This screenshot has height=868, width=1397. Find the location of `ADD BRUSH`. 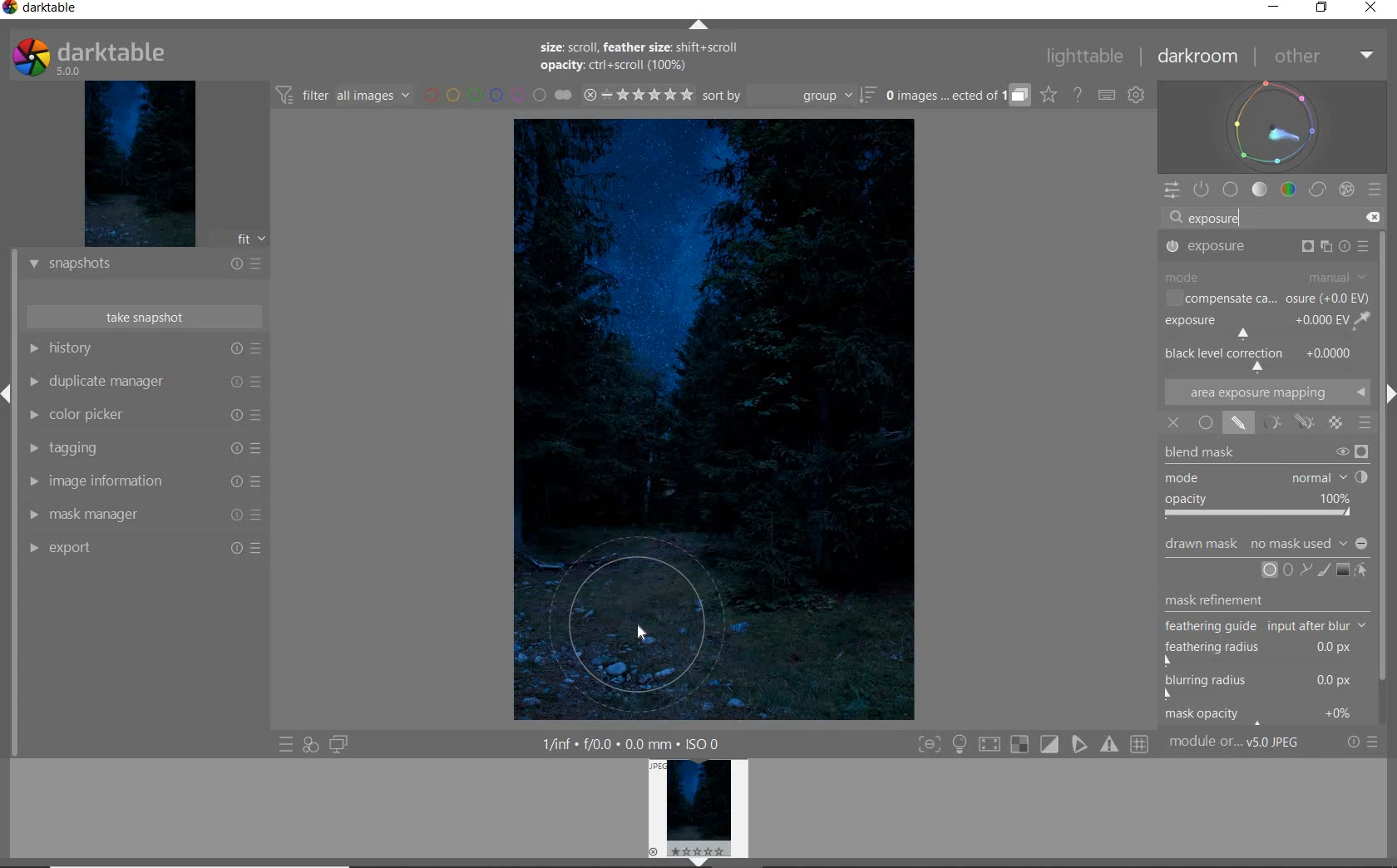

ADD BRUSH is located at coordinates (1324, 569).